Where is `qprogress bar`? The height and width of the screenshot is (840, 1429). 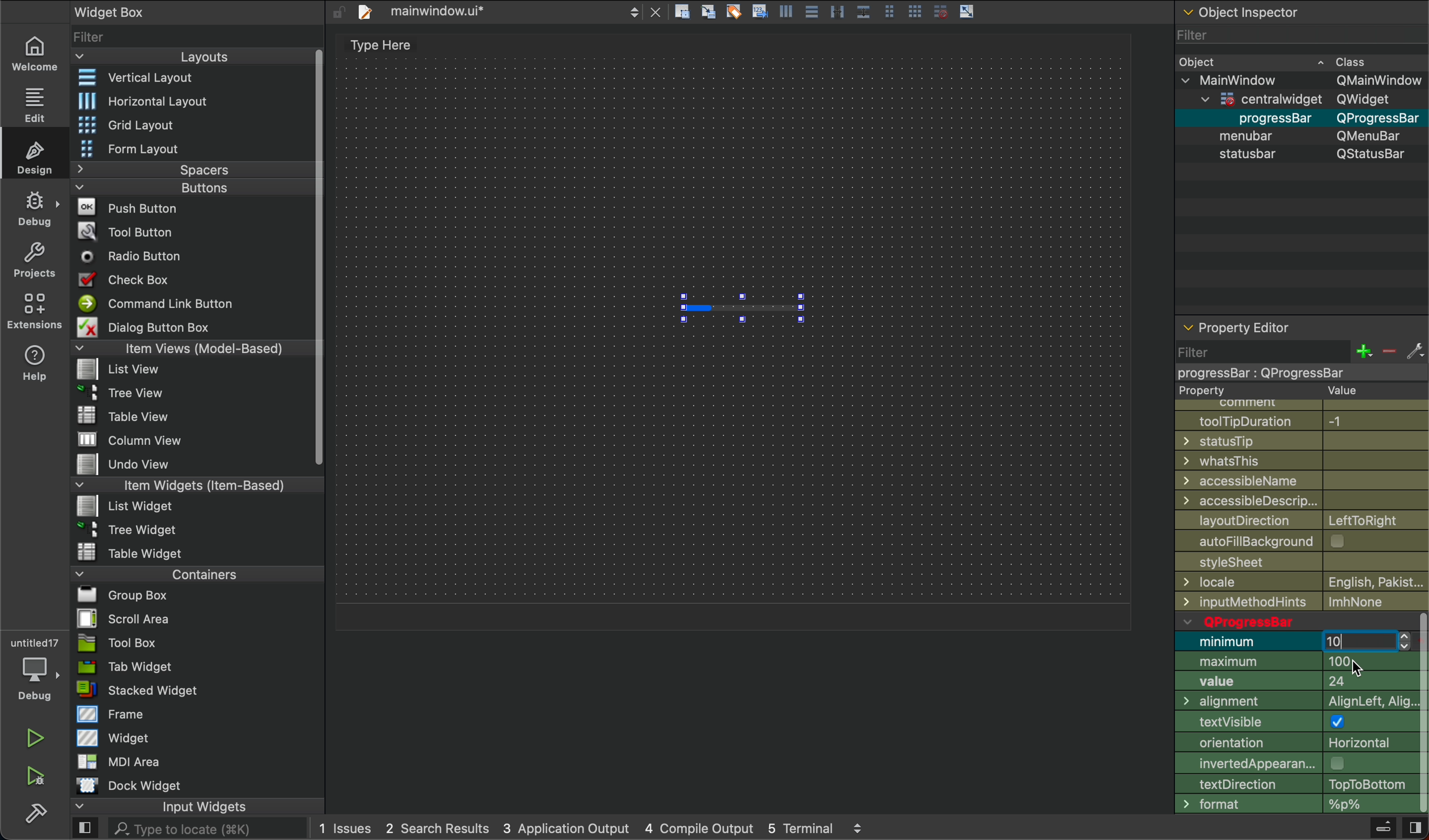
qprogress bar is located at coordinates (1292, 621).